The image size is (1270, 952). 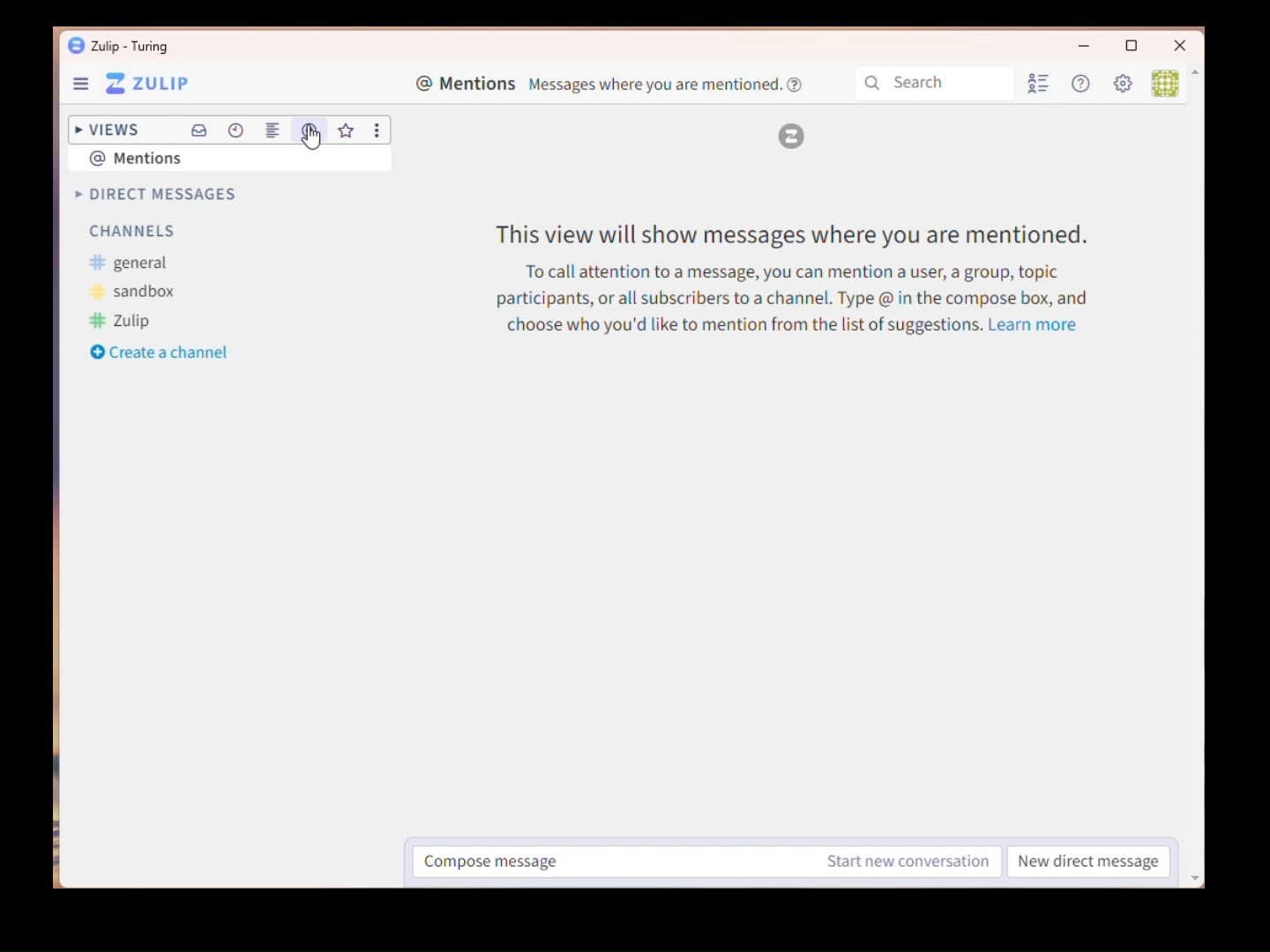 What do you see at coordinates (161, 353) in the screenshot?
I see `Create a channel` at bounding box center [161, 353].